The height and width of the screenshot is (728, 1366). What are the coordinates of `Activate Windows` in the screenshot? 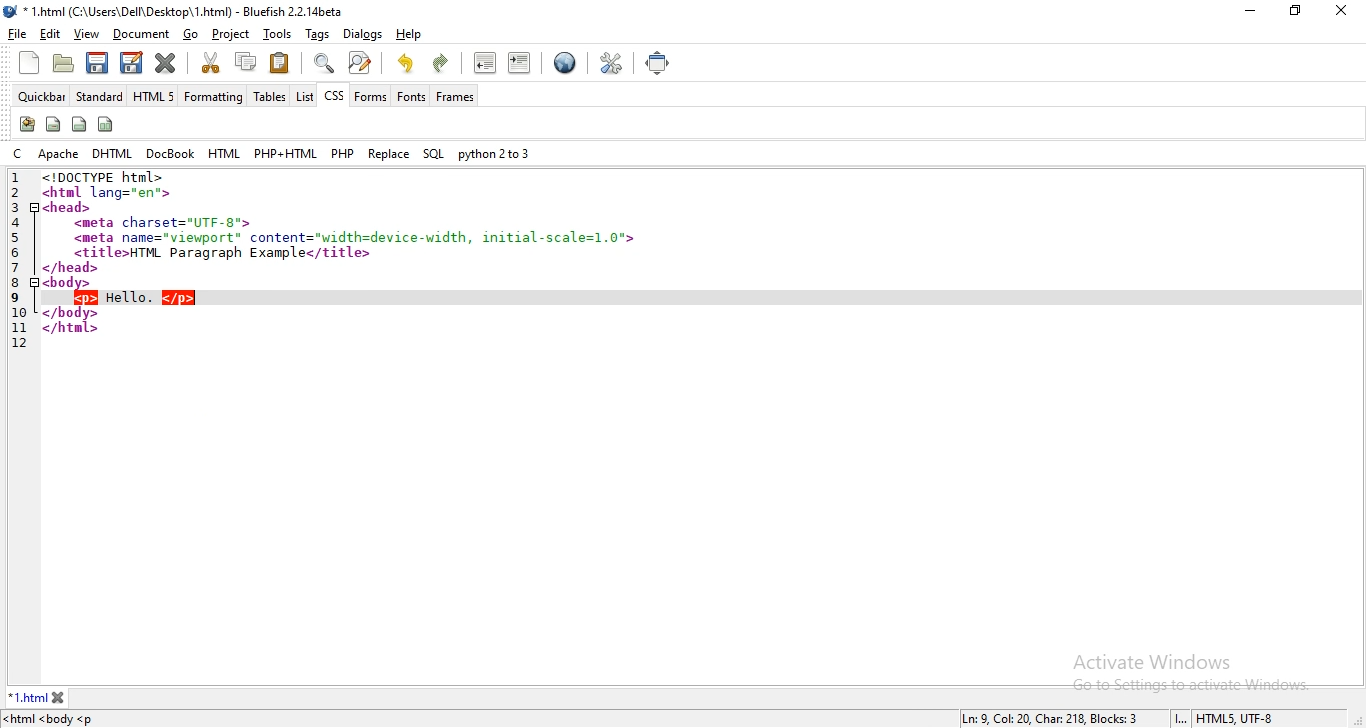 It's located at (1157, 661).